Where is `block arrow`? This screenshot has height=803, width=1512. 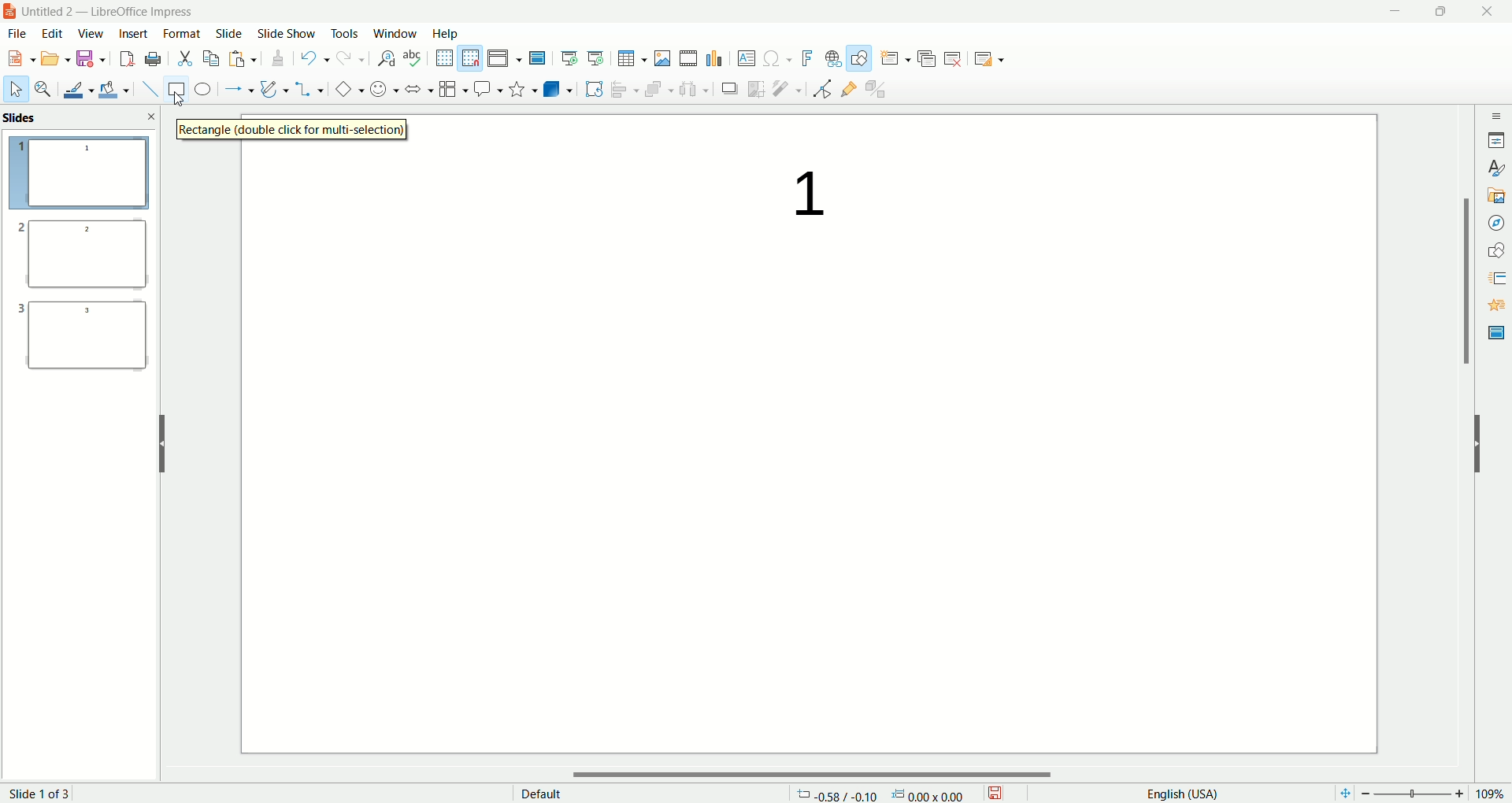 block arrow is located at coordinates (415, 88).